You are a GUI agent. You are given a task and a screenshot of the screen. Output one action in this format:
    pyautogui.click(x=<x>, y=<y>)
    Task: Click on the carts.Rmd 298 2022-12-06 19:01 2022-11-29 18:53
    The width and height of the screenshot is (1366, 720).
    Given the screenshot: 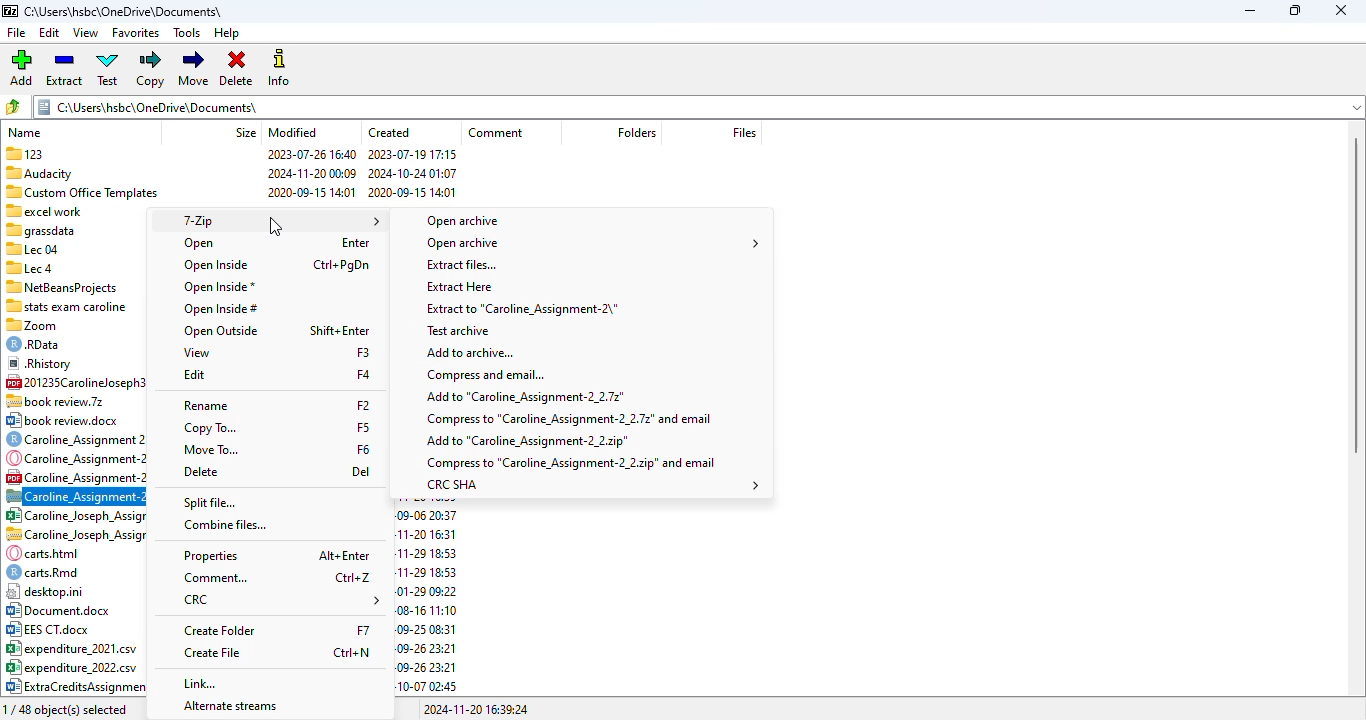 What is the action you would take?
    pyautogui.click(x=73, y=572)
    